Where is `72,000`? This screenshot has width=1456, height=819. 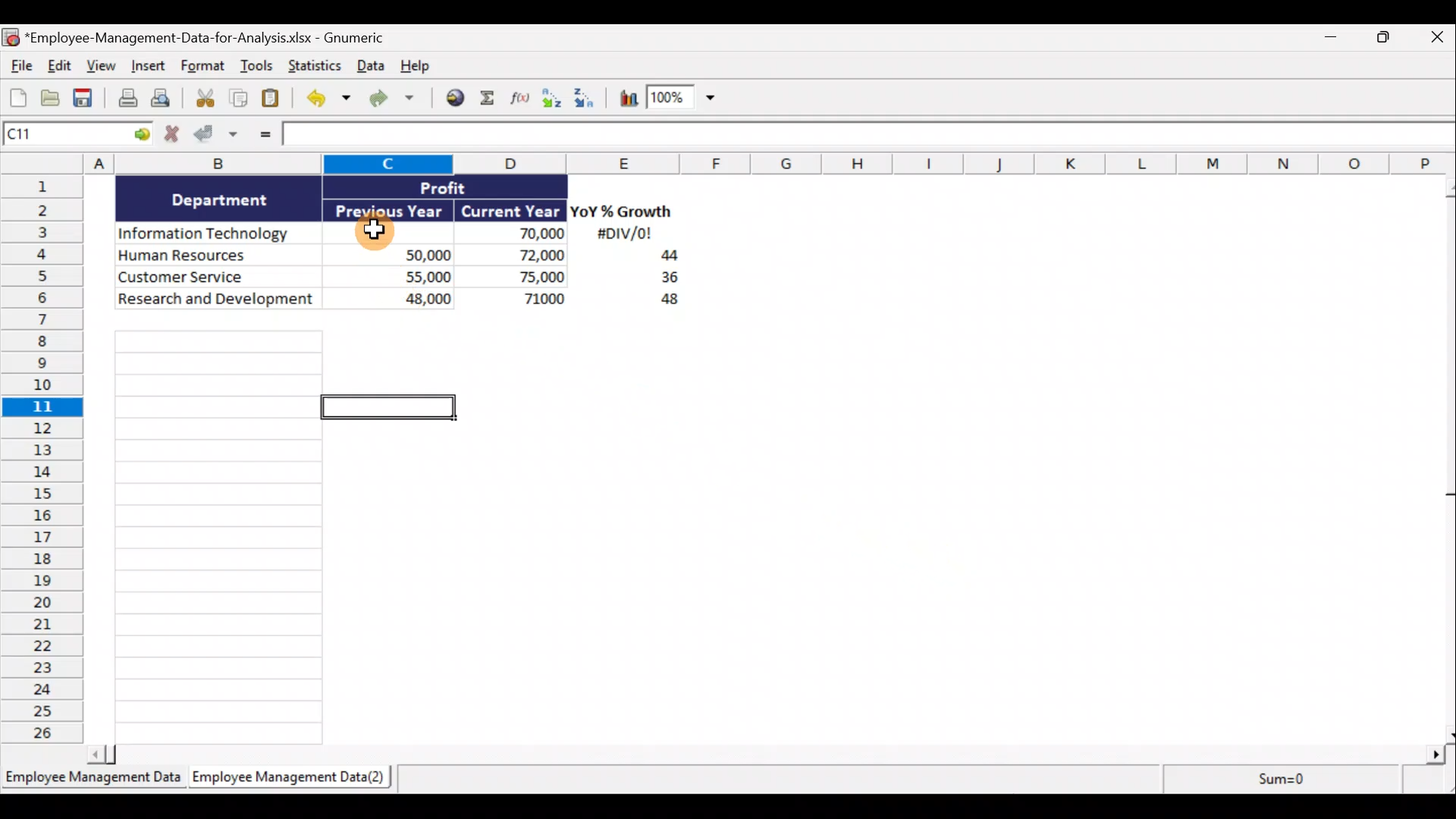 72,000 is located at coordinates (518, 256).